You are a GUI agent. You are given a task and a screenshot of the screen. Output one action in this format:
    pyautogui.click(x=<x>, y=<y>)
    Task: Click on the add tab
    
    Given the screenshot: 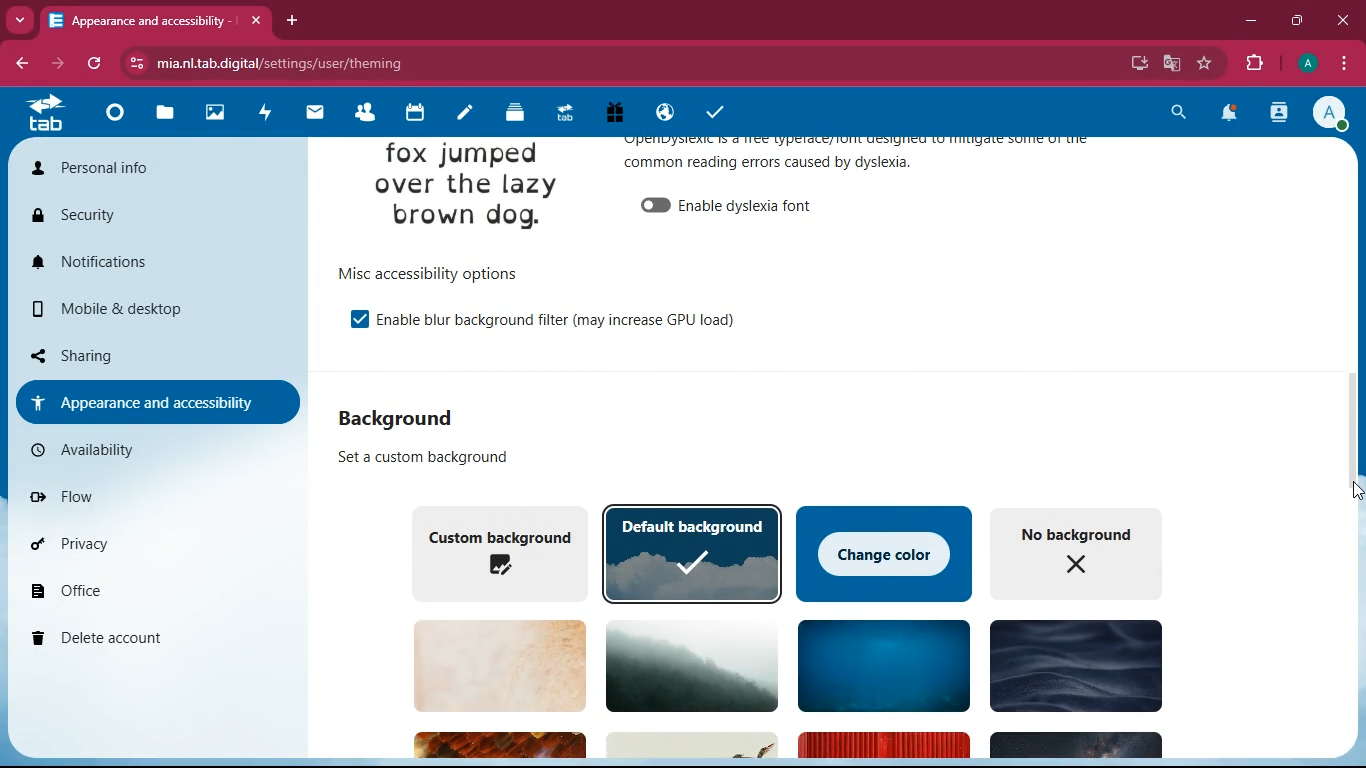 What is the action you would take?
    pyautogui.click(x=289, y=20)
    